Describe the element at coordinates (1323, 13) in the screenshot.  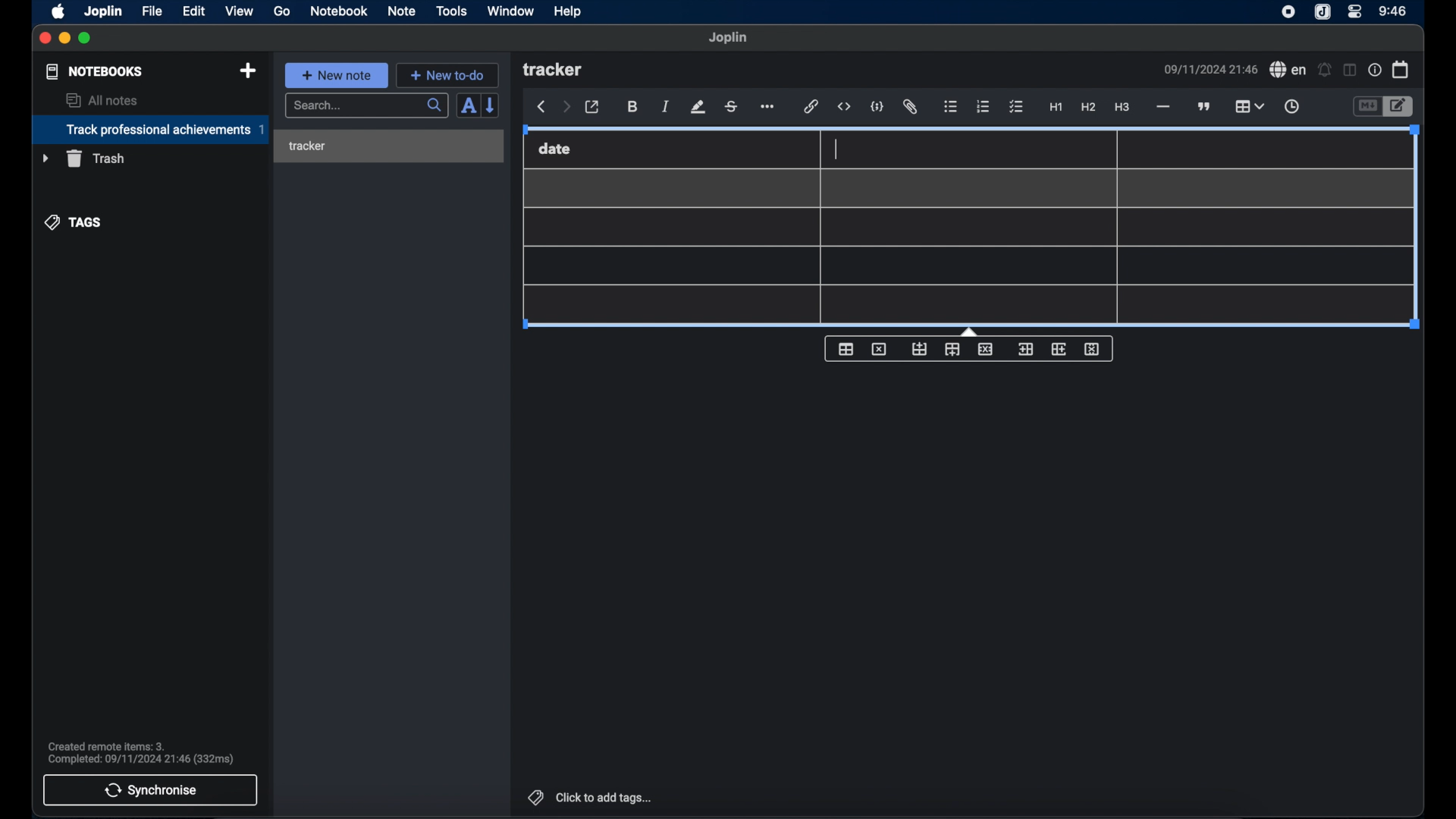
I see `joplin` at that location.